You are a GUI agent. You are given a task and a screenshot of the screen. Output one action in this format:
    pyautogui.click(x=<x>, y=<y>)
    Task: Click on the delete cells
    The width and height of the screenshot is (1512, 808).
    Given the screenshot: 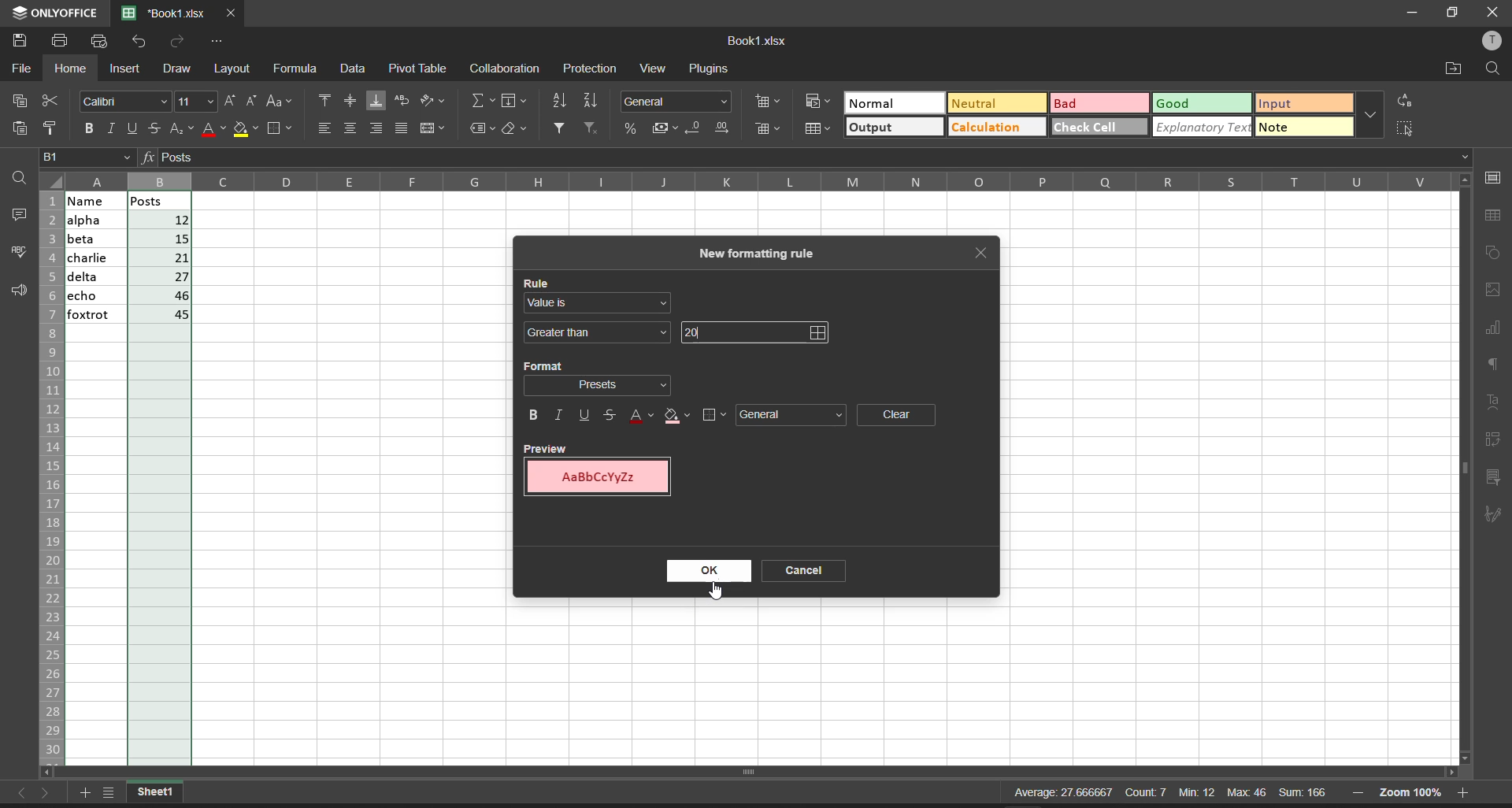 What is the action you would take?
    pyautogui.click(x=770, y=129)
    